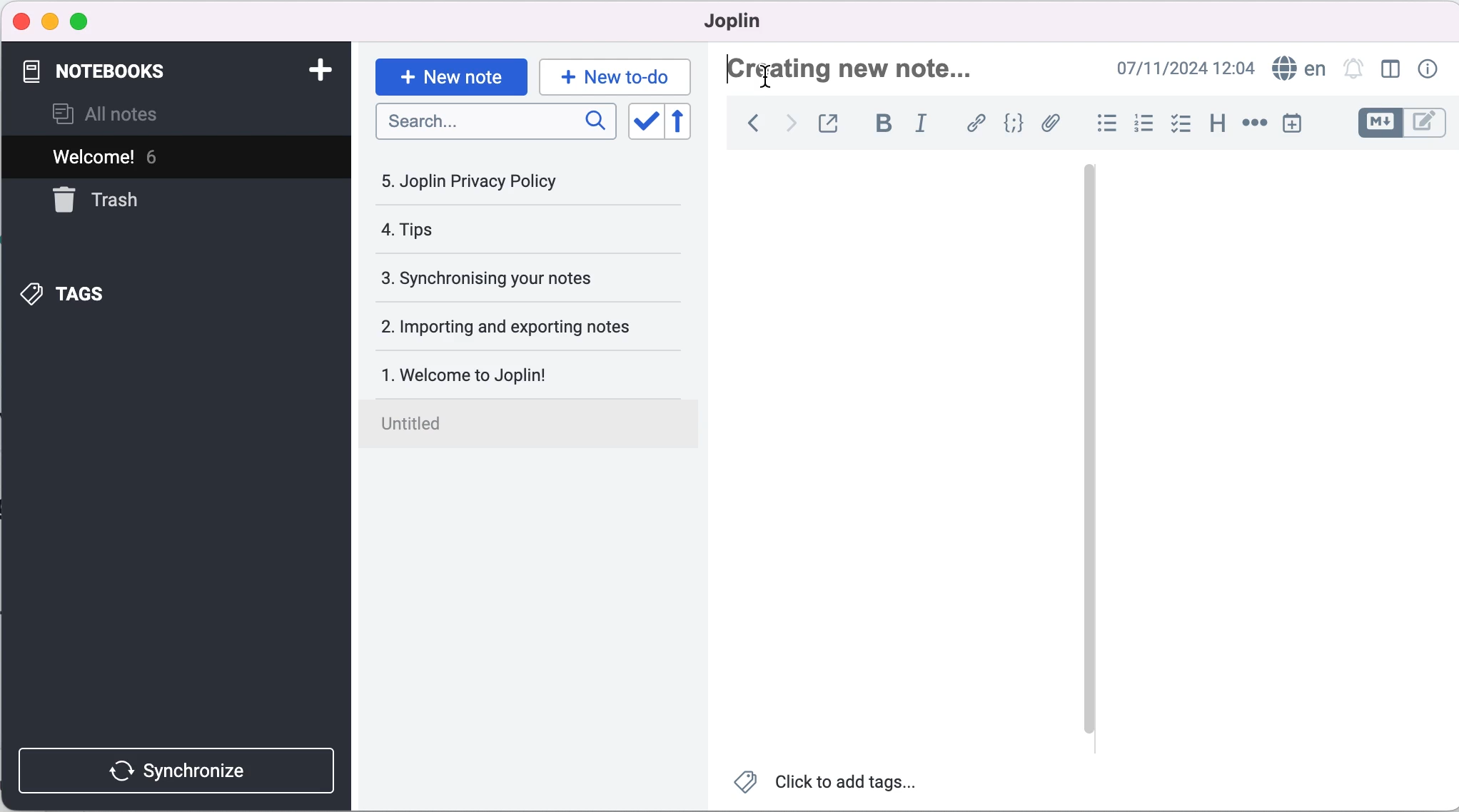 This screenshot has width=1459, height=812. What do you see at coordinates (1014, 124) in the screenshot?
I see `code` at bounding box center [1014, 124].